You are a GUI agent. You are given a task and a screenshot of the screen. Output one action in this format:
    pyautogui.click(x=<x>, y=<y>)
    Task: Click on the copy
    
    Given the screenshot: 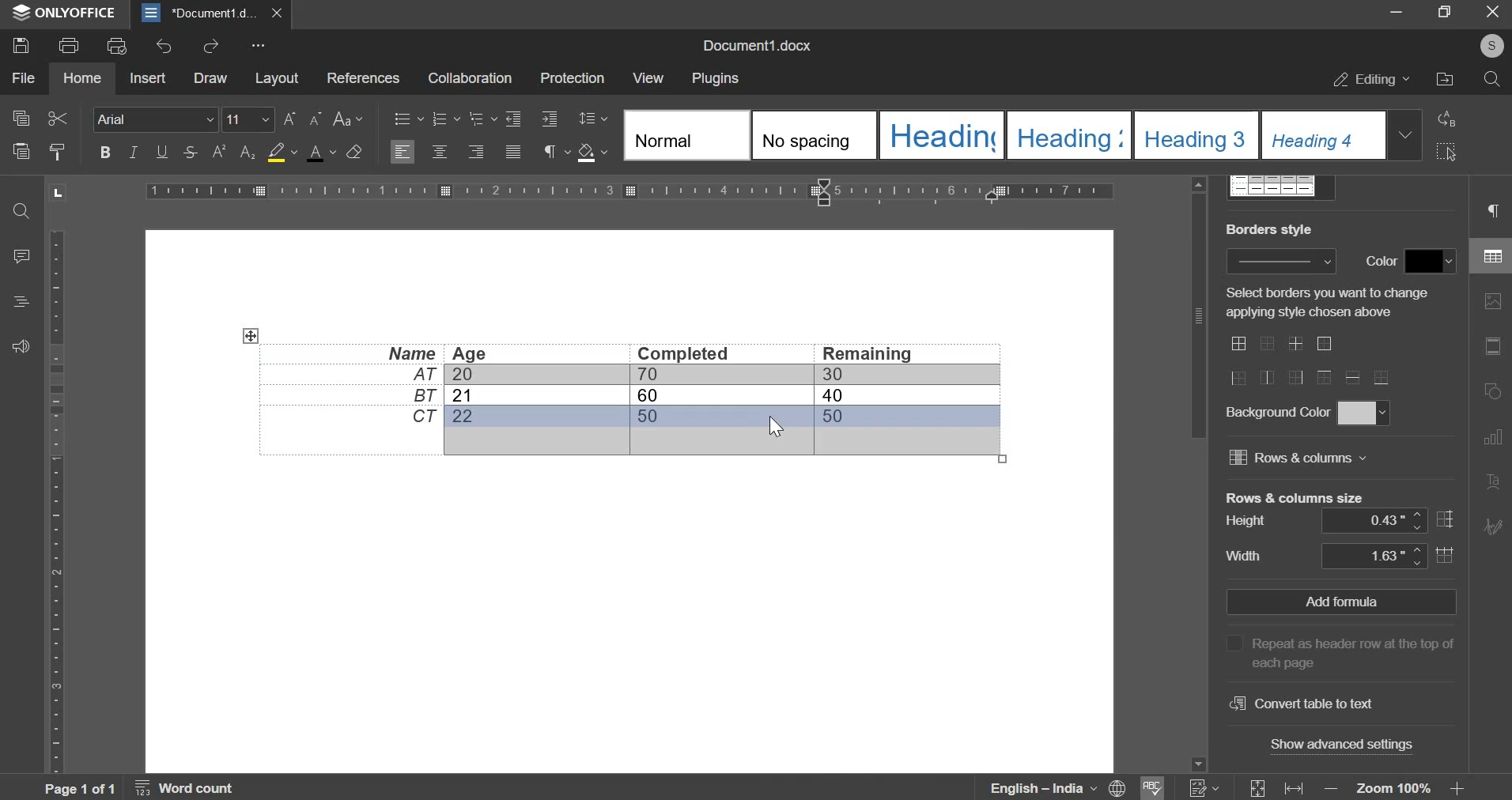 What is the action you would take?
    pyautogui.click(x=19, y=119)
    